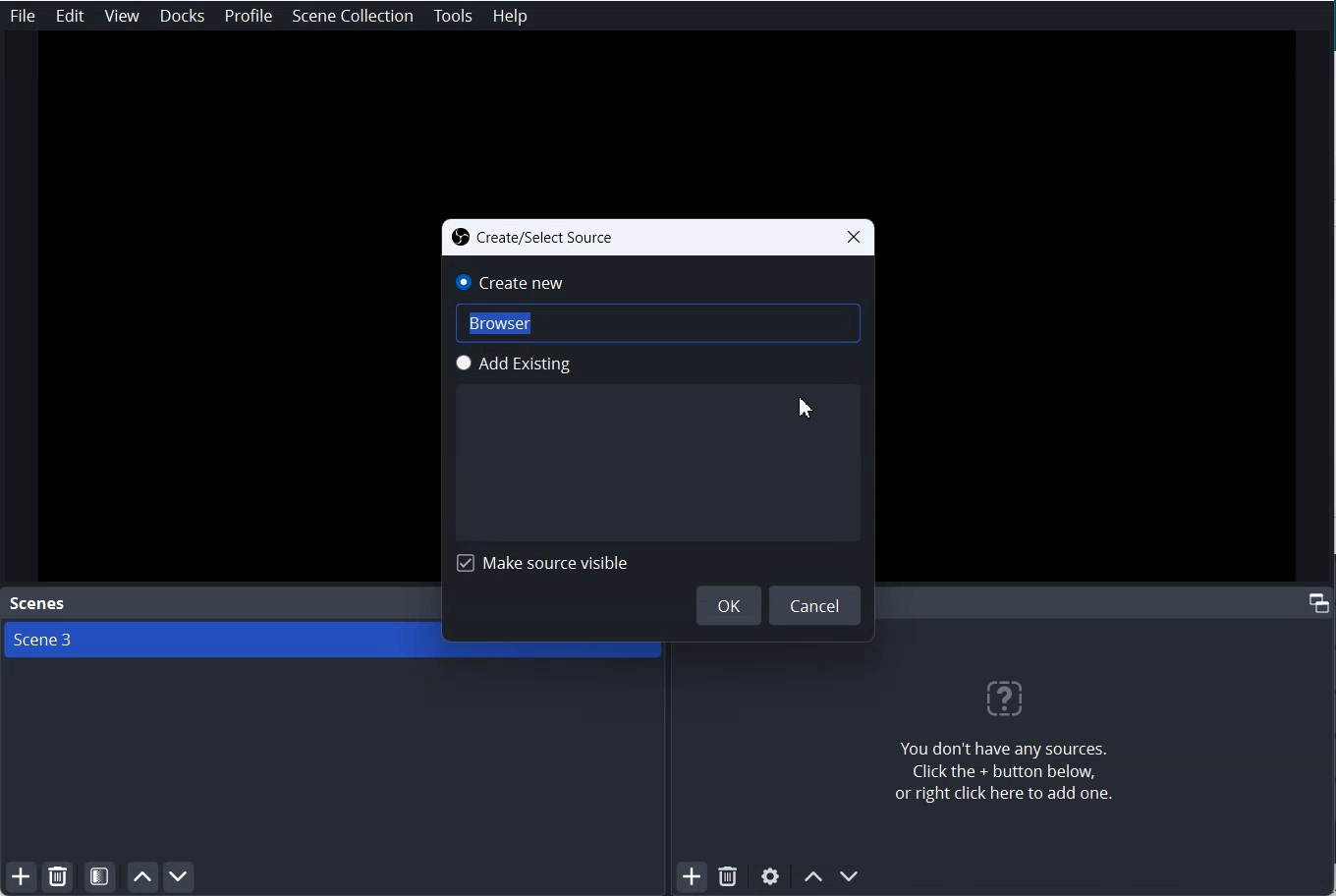 The height and width of the screenshot is (896, 1336). What do you see at coordinates (854, 237) in the screenshot?
I see `Close` at bounding box center [854, 237].